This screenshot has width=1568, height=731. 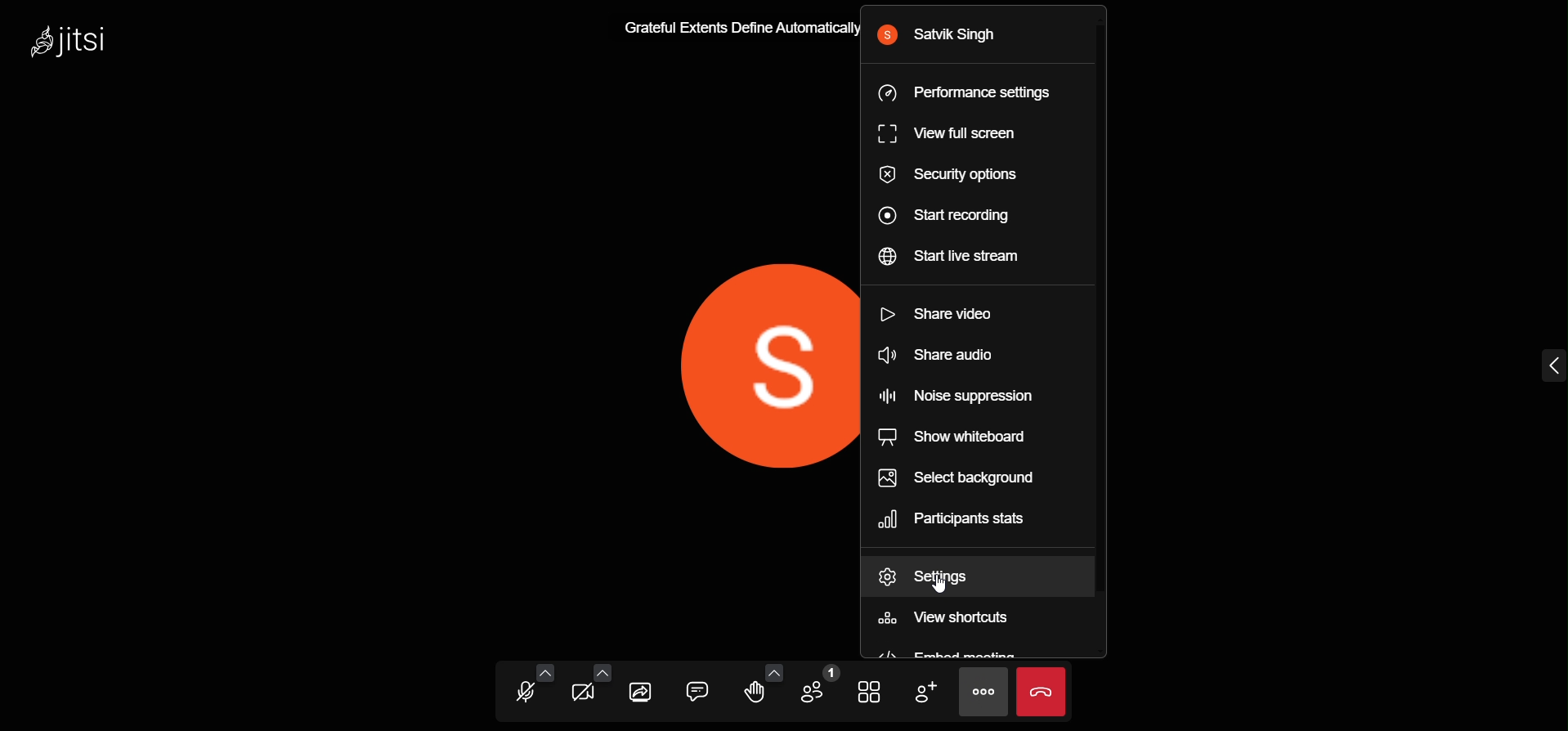 I want to click on logo, so click(x=86, y=41).